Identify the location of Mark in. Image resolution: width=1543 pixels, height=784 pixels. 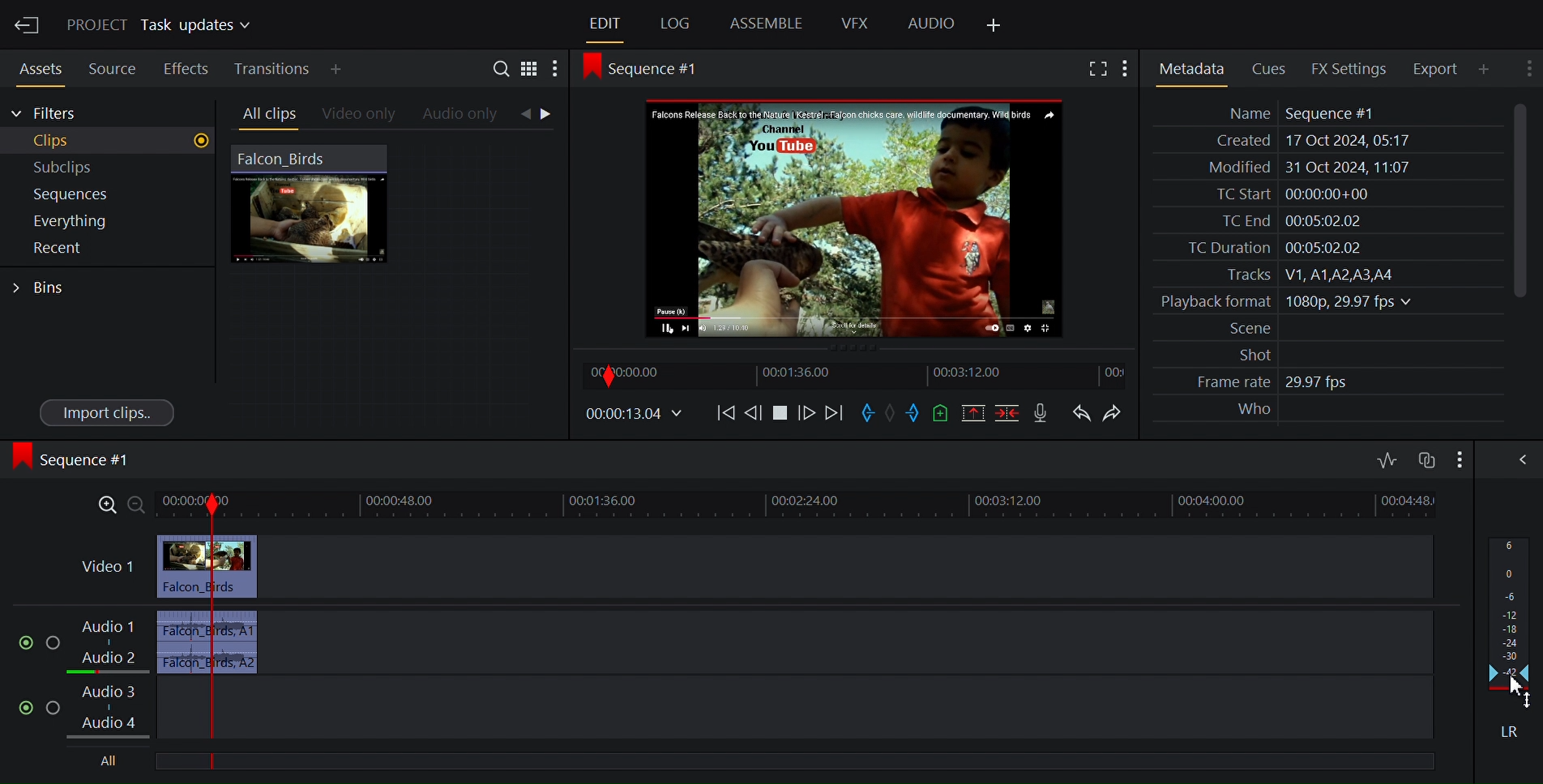
(866, 413).